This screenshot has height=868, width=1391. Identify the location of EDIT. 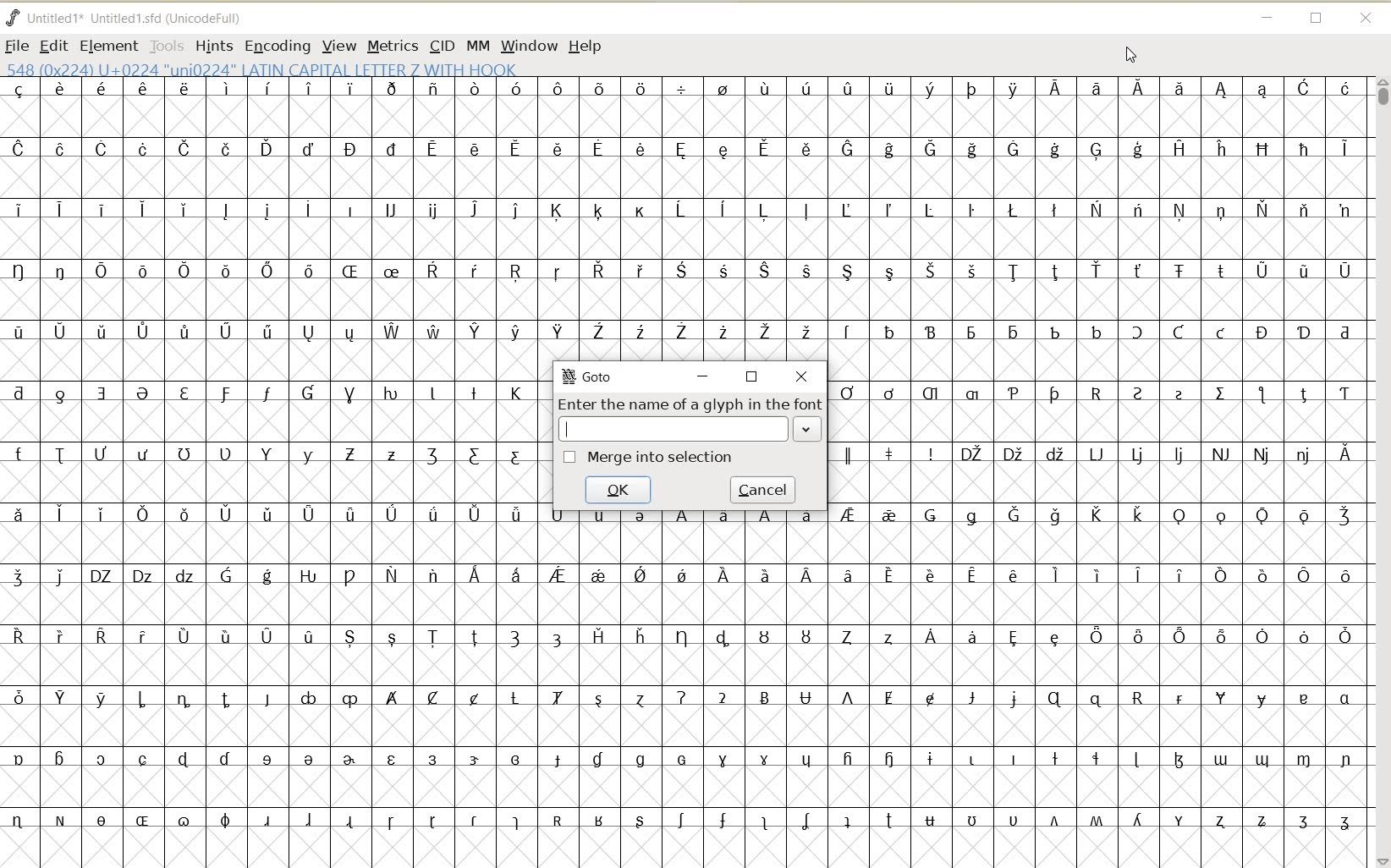
(52, 47).